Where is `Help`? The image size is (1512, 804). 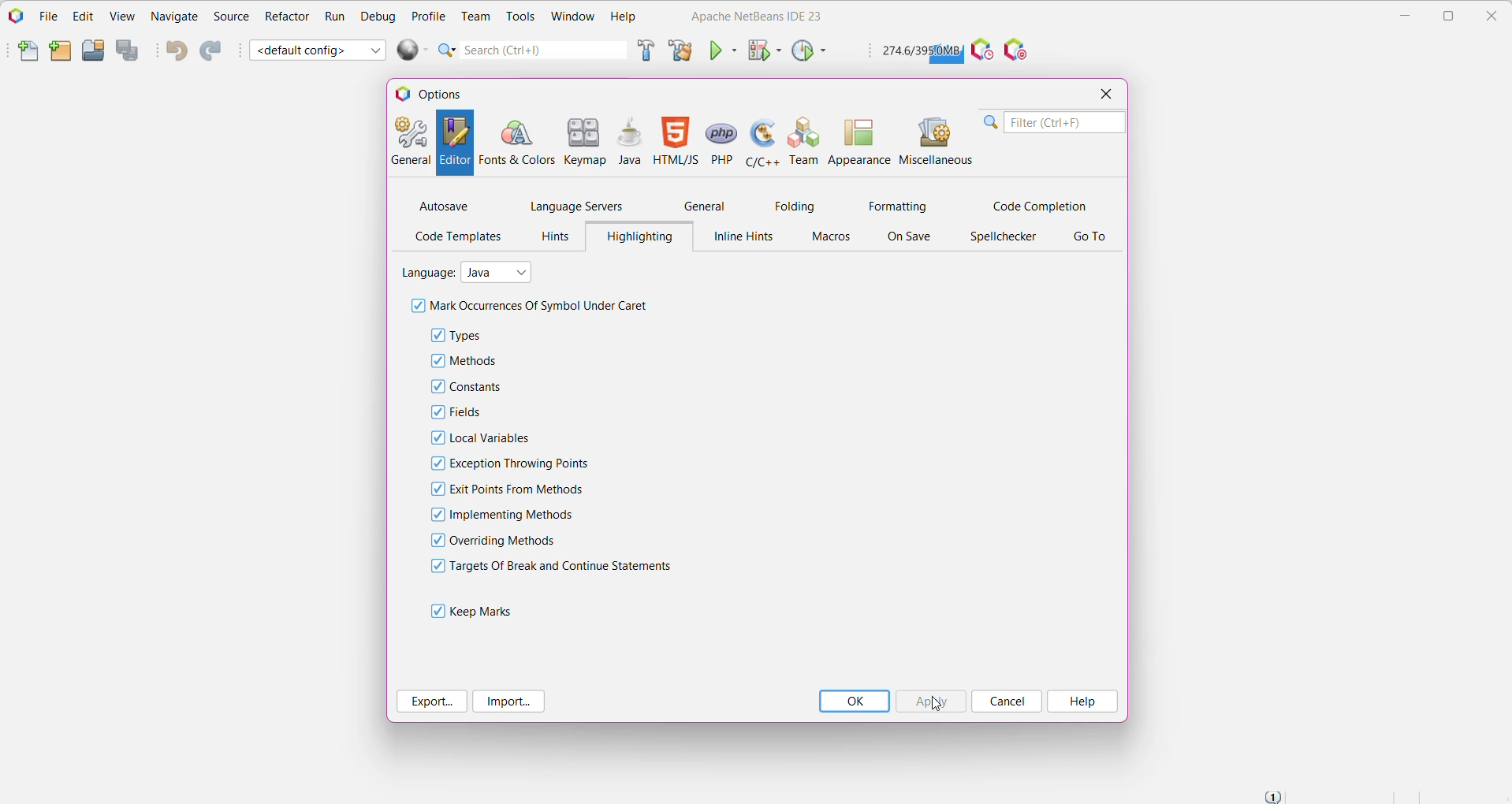
Help is located at coordinates (1083, 702).